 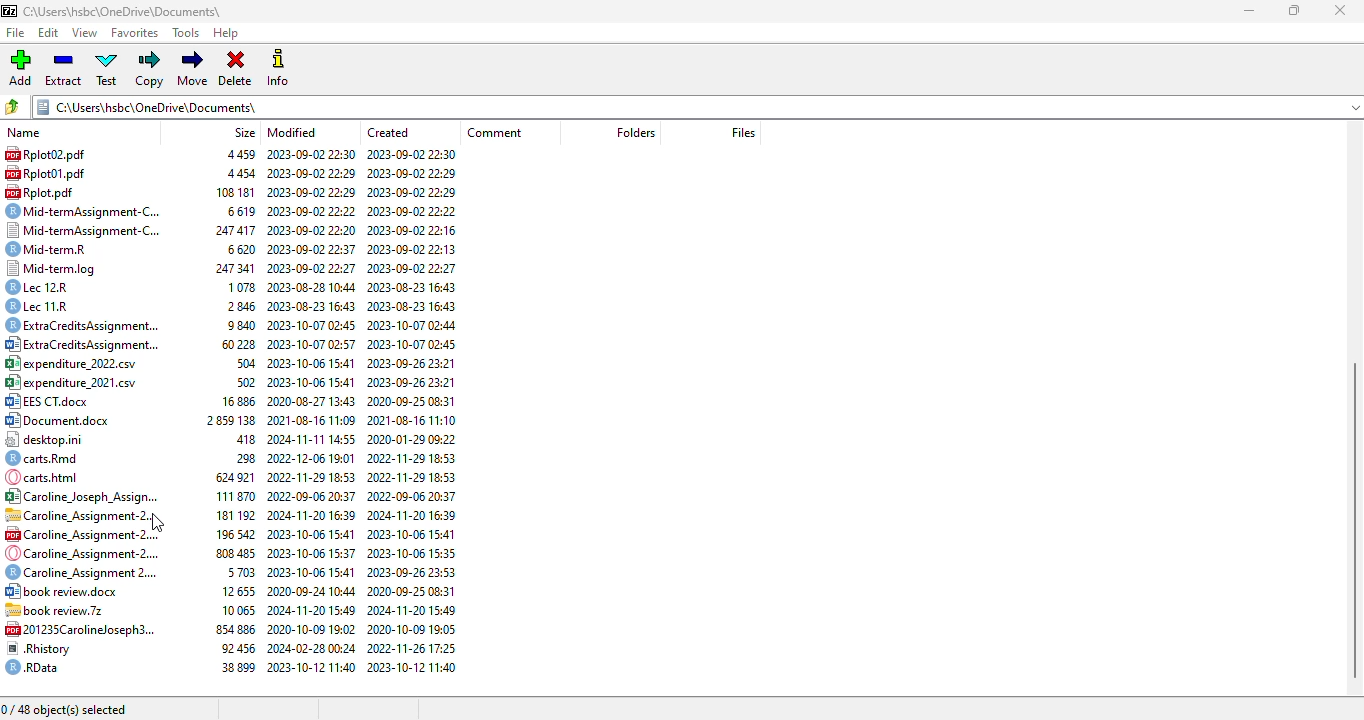 What do you see at coordinates (185, 33) in the screenshot?
I see `tools` at bounding box center [185, 33].